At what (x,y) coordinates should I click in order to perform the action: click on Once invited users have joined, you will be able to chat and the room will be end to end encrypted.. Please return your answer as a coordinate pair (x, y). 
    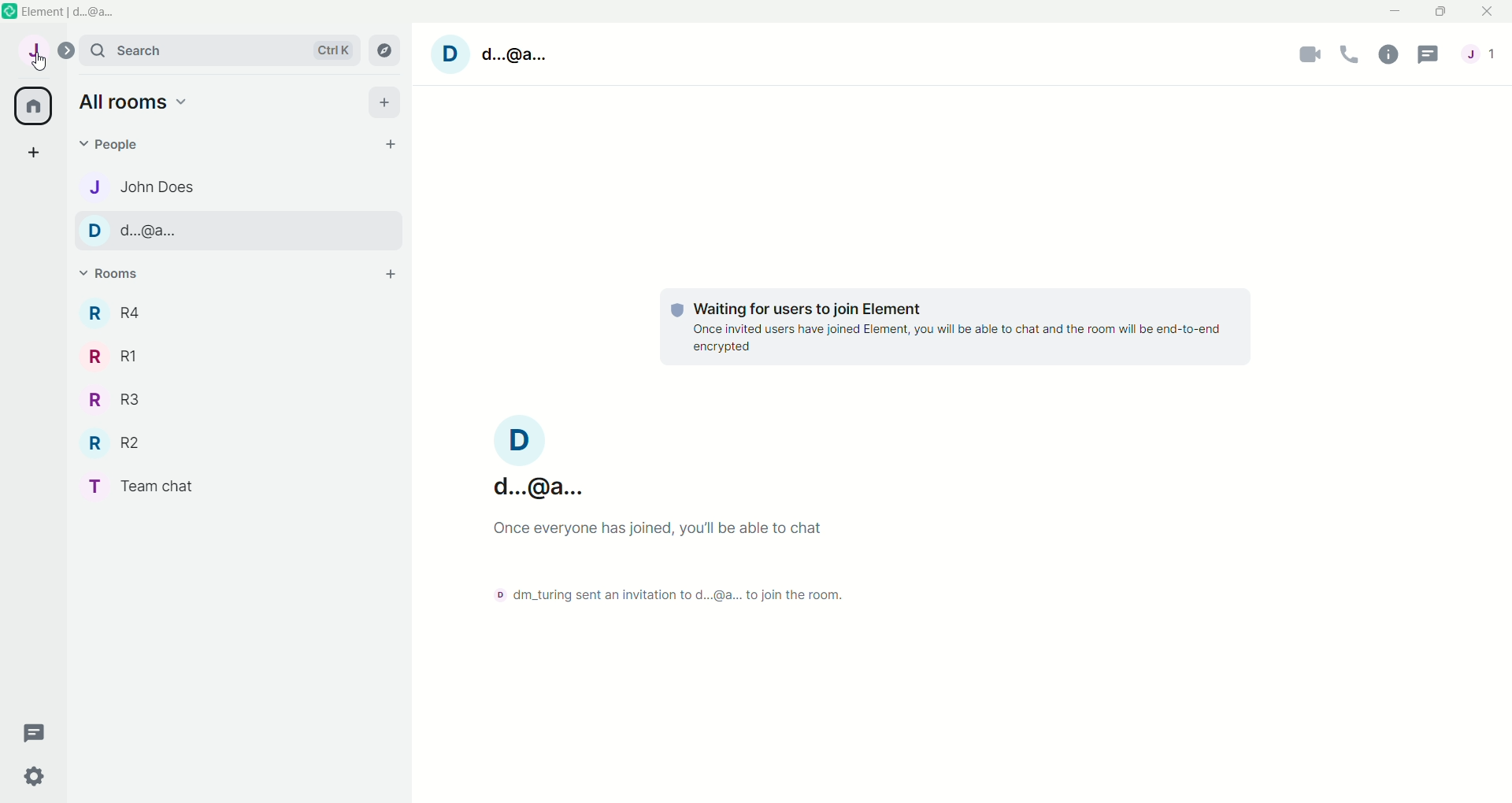
    Looking at the image, I should click on (961, 340).